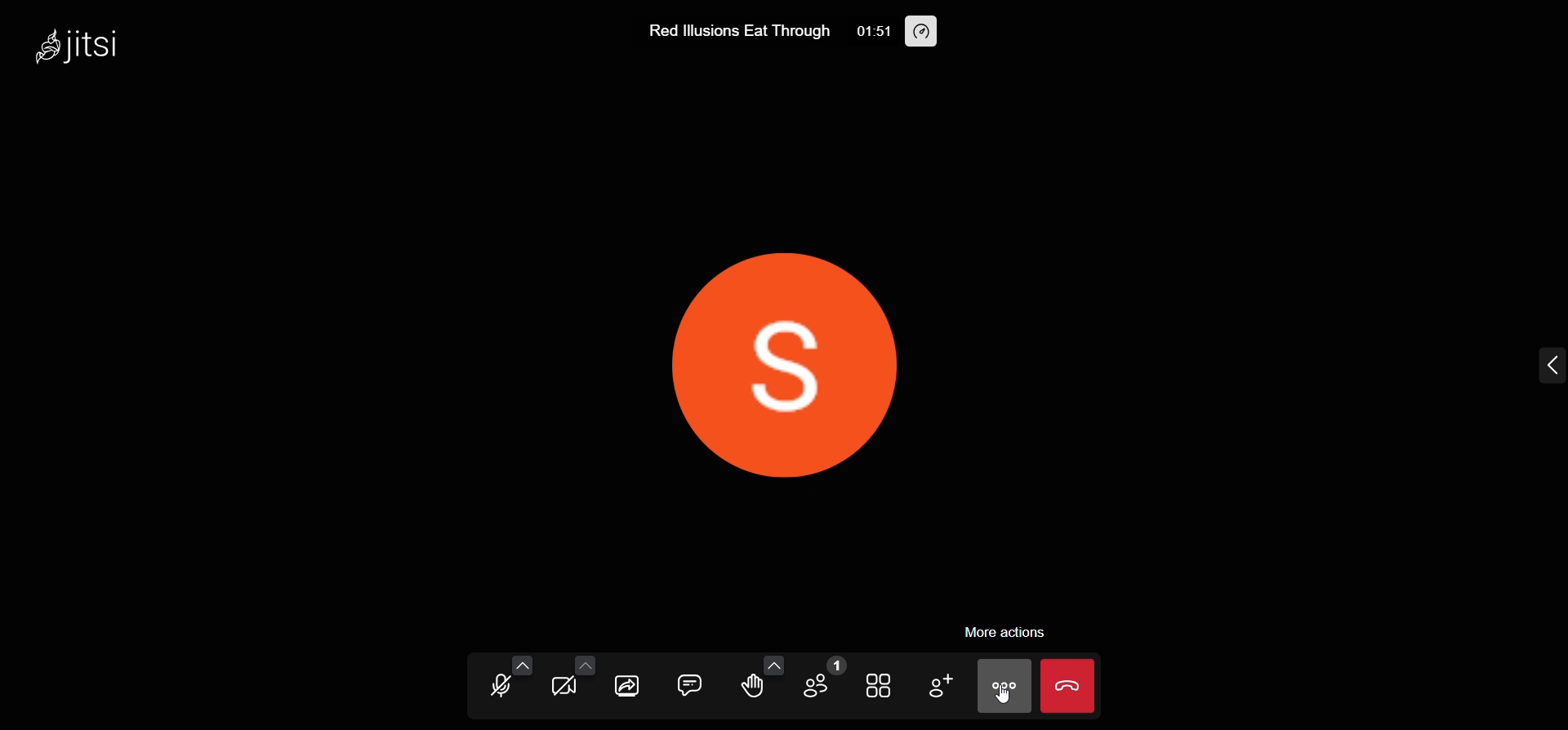 This screenshot has width=1568, height=730. I want to click on microphone, so click(501, 688).